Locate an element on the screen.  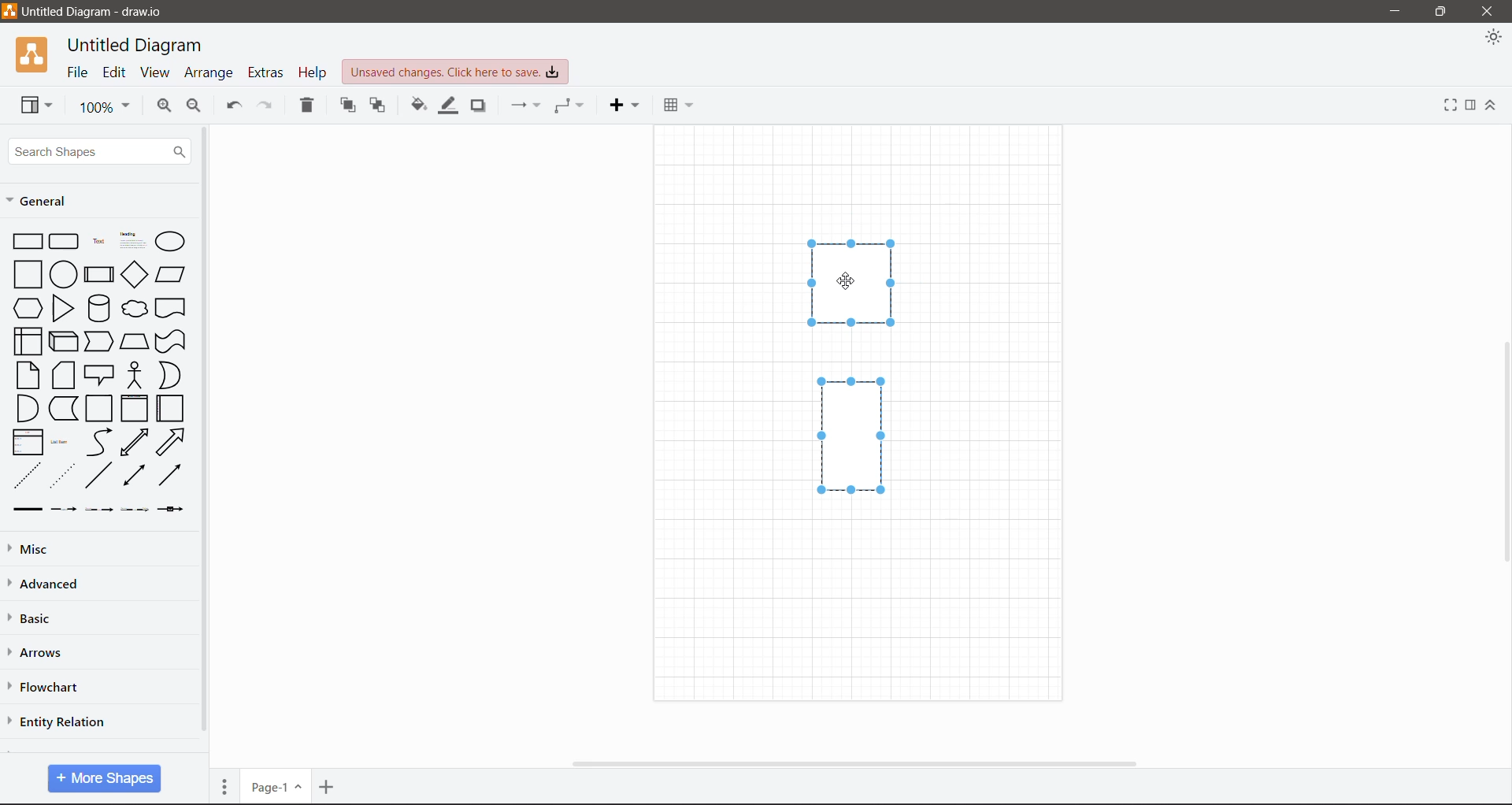
Arrange is located at coordinates (210, 72).